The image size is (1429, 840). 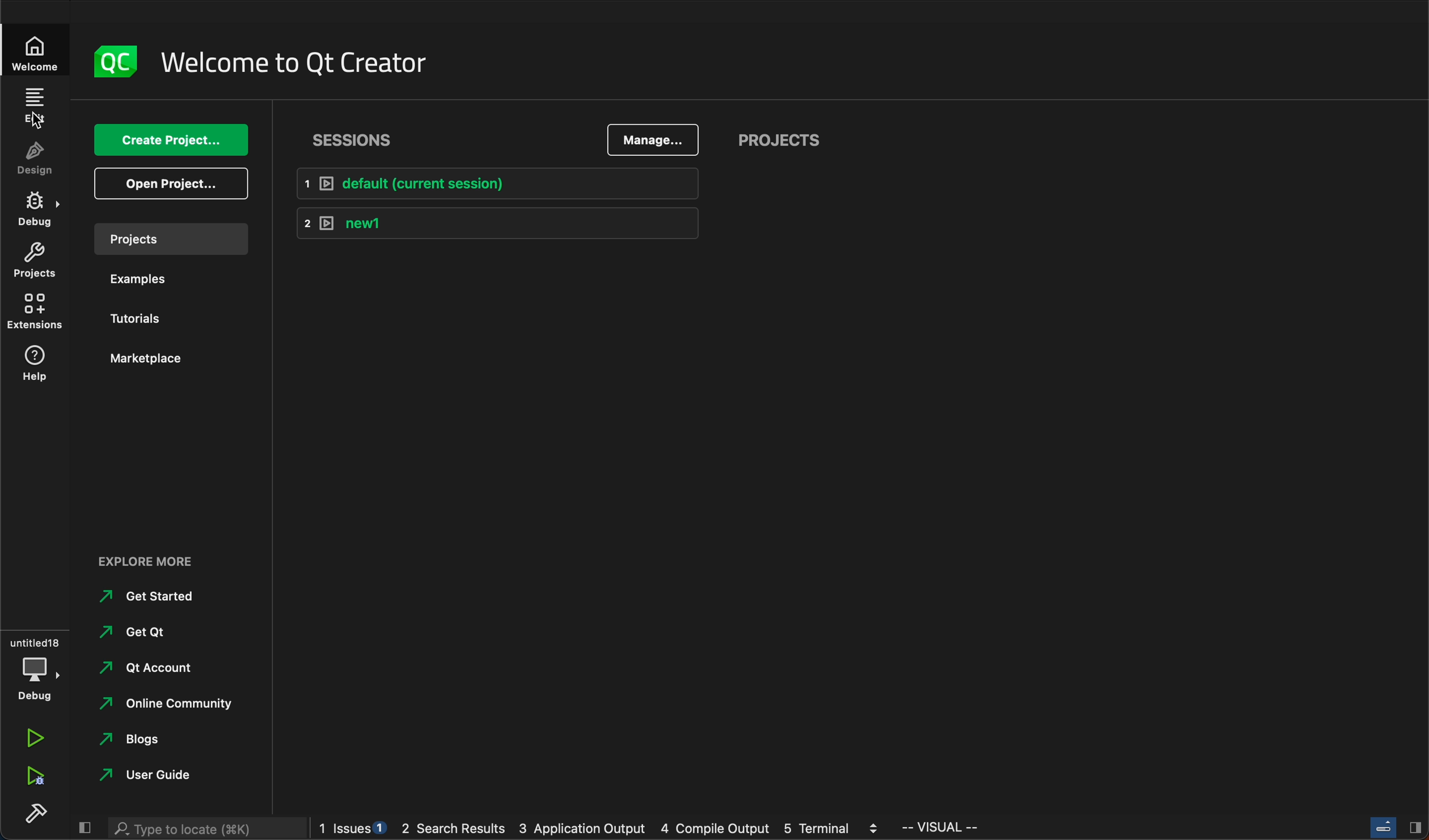 I want to click on community, so click(x=170, y=702).